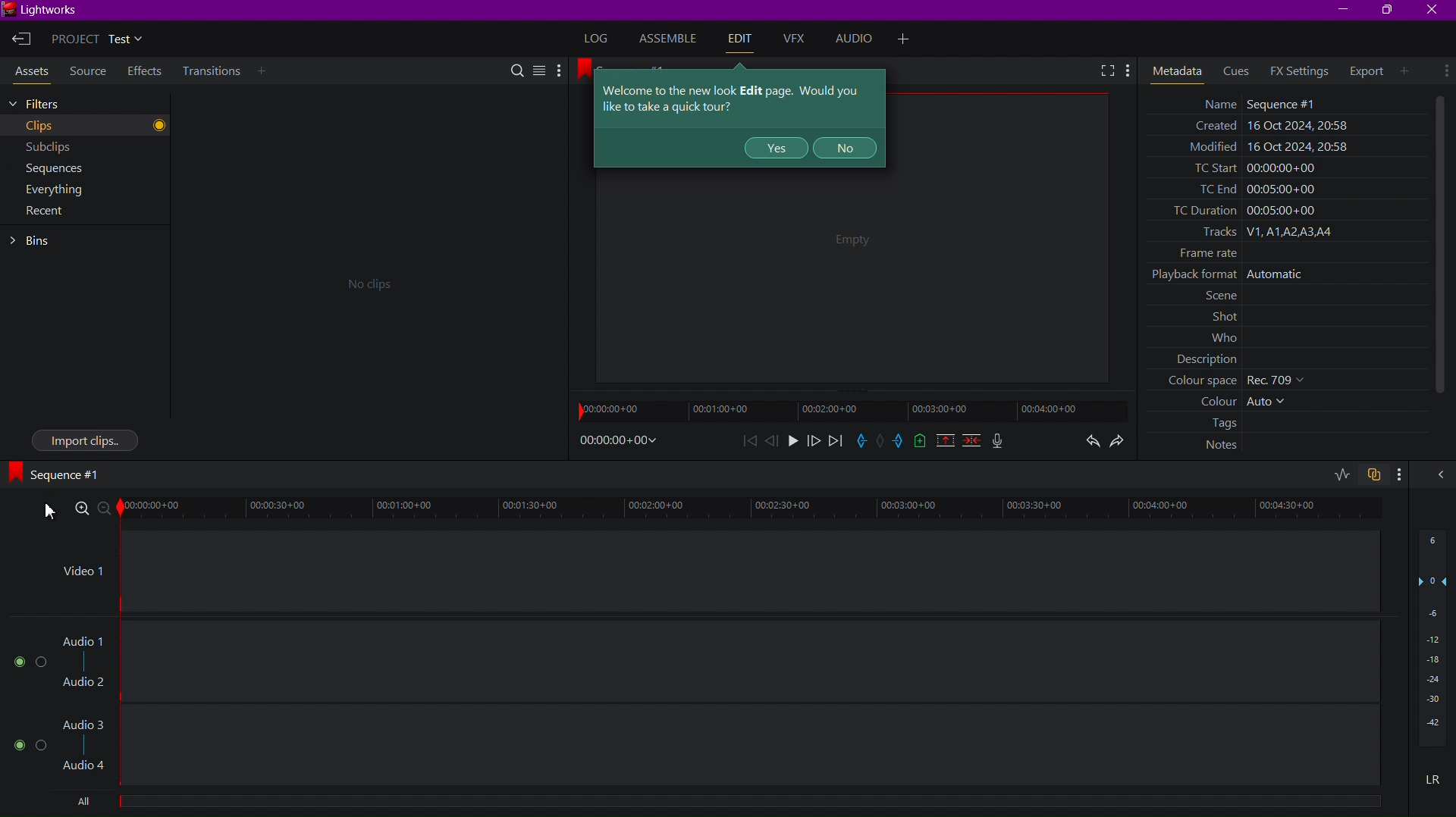 This screenshot has height=817, width=1456. I want to click on Recent, so click(54, 214).